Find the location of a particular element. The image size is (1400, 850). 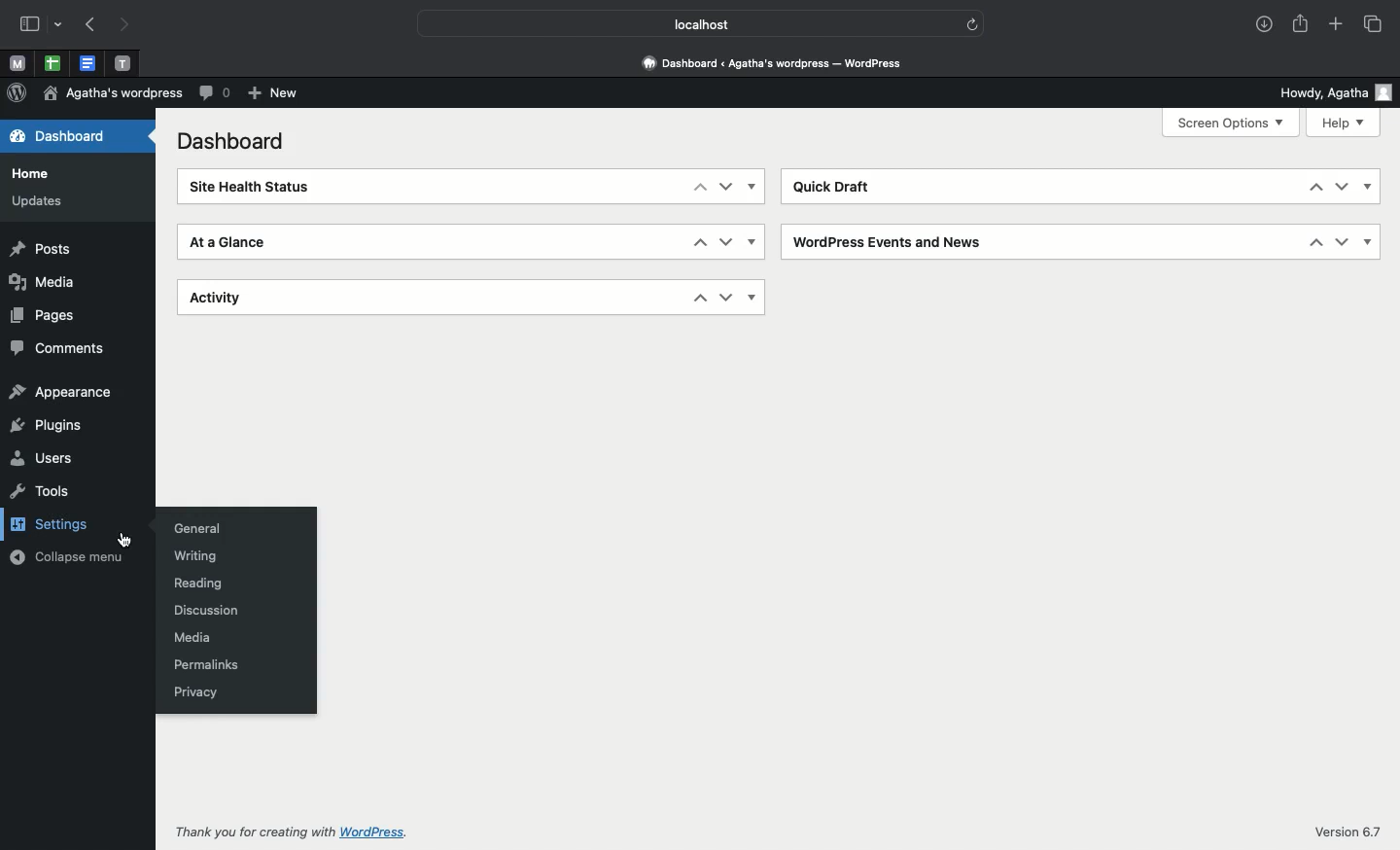

Share is located at coordinates (1302, 23).